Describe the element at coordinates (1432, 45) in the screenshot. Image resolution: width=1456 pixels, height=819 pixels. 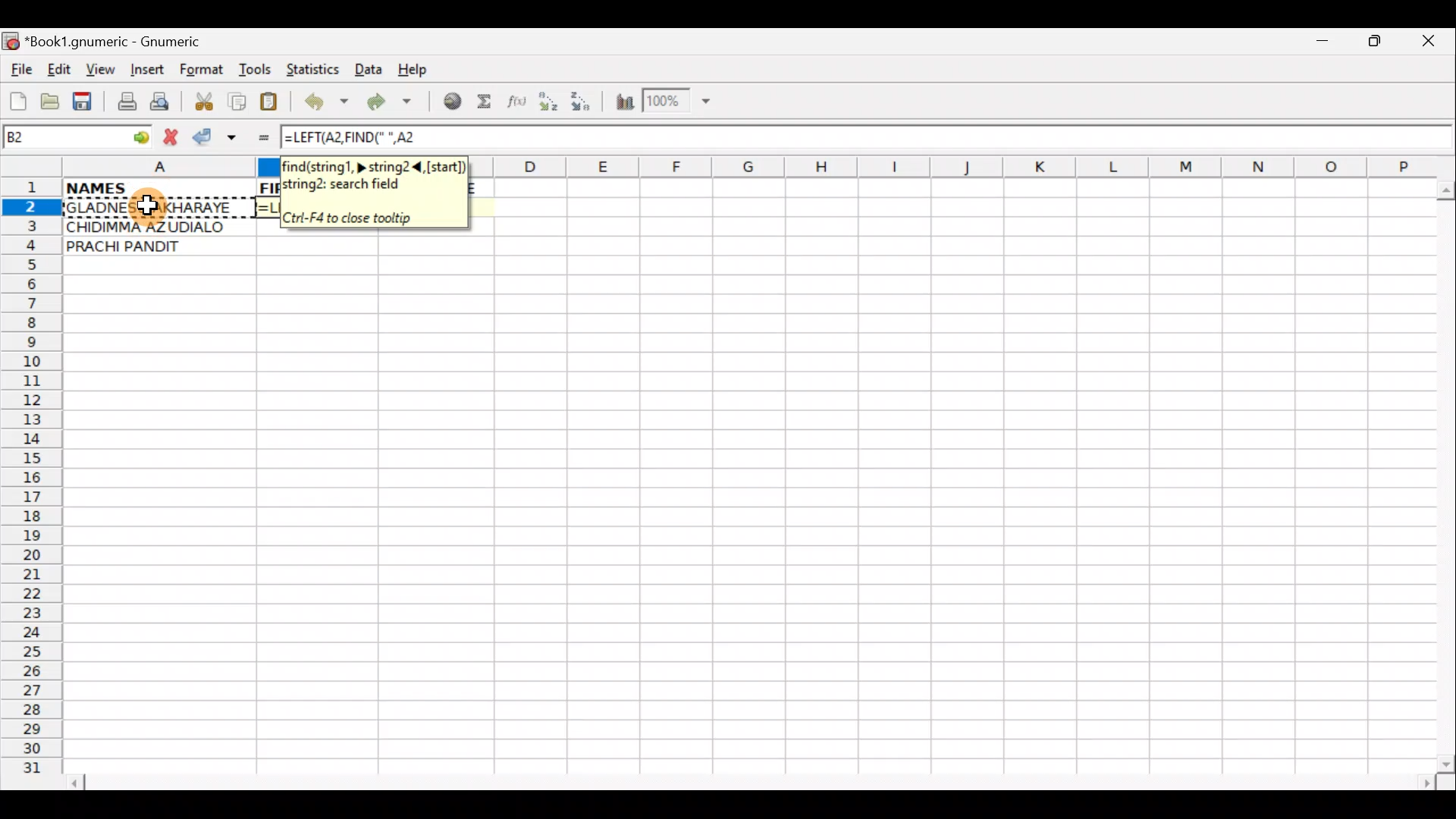
I see `Close` at that location.